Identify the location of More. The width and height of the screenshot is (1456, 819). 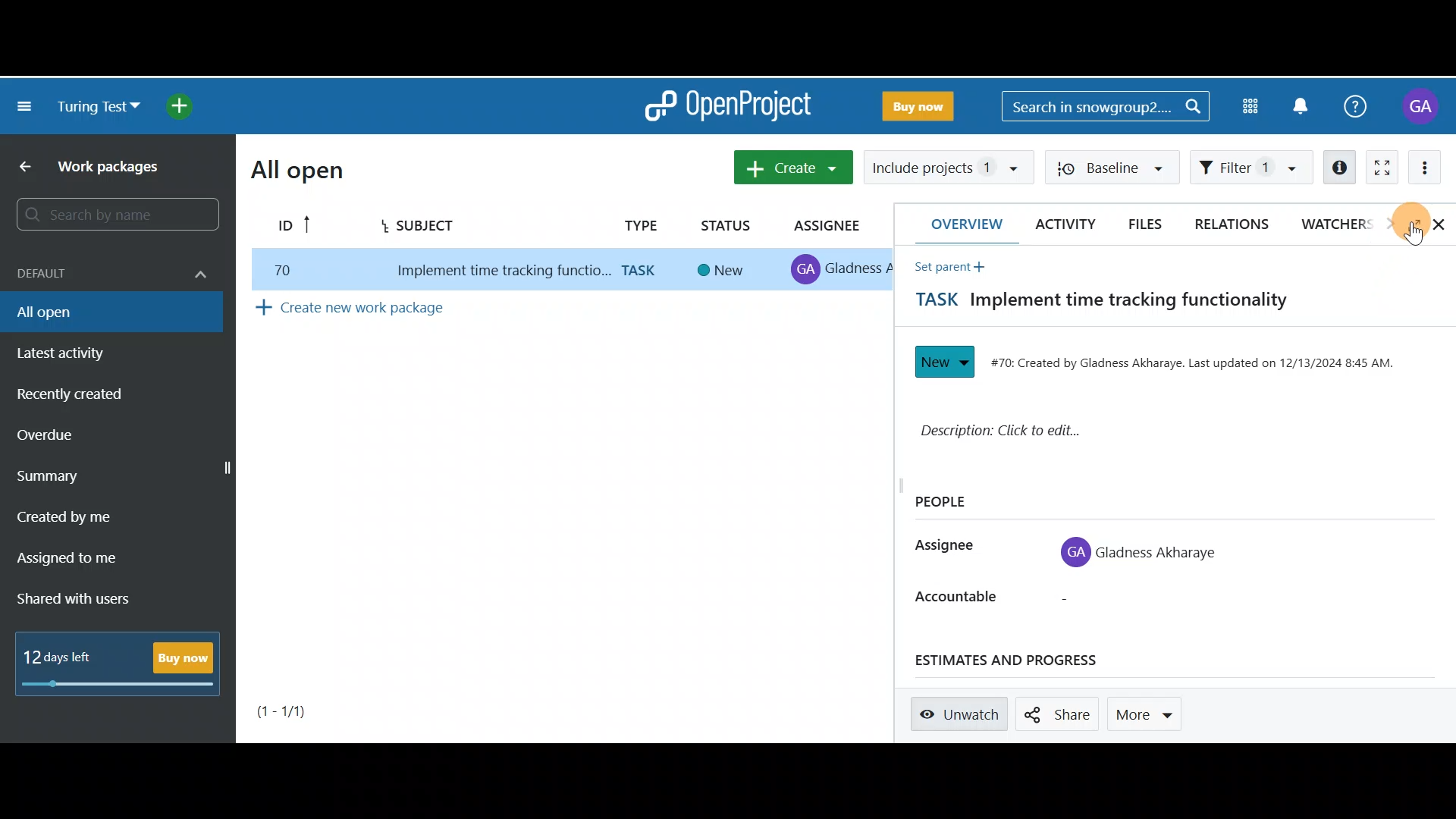
(1146, 712).